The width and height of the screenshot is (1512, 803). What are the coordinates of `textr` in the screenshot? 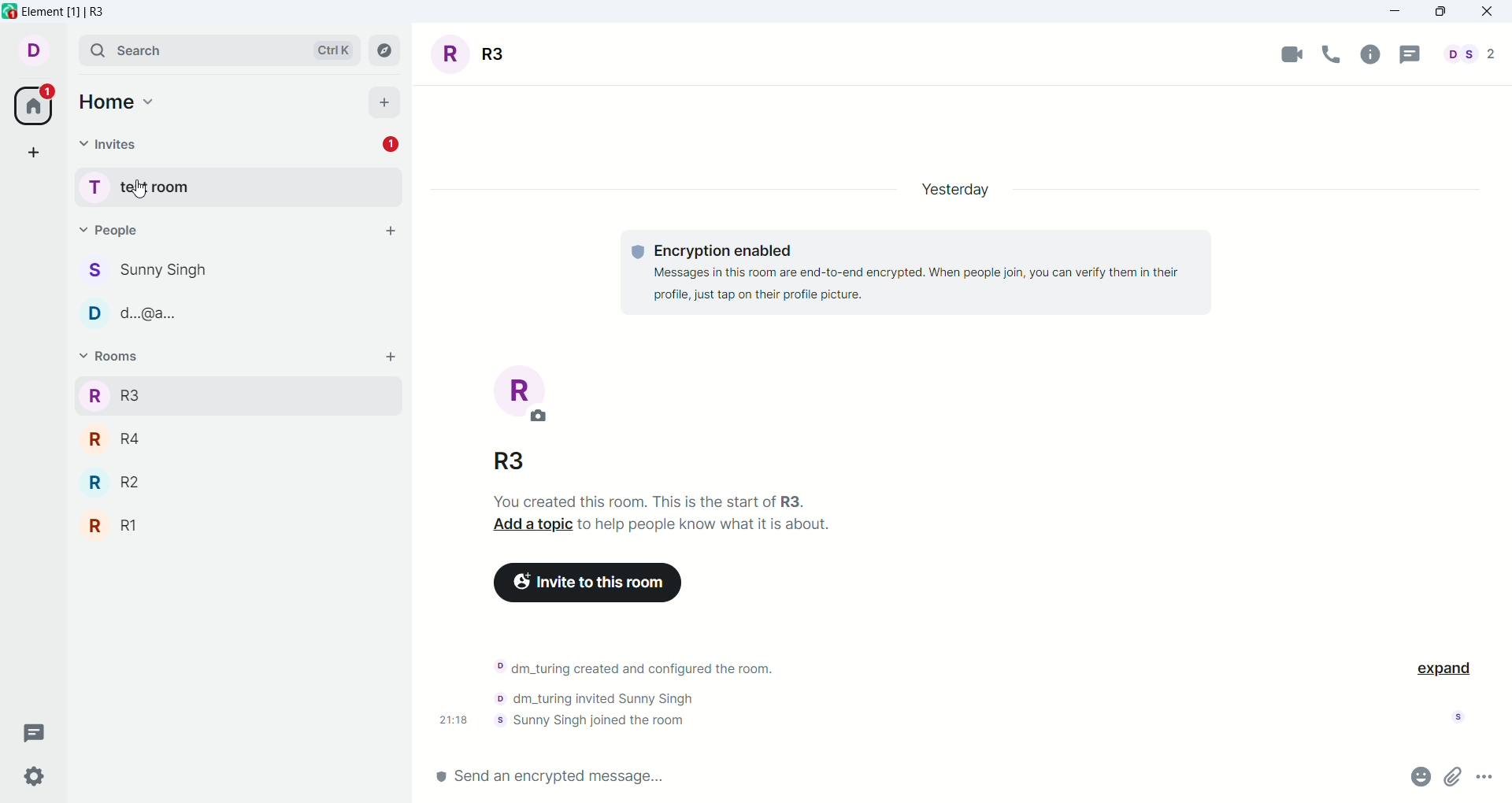 It's located at (704, 524).